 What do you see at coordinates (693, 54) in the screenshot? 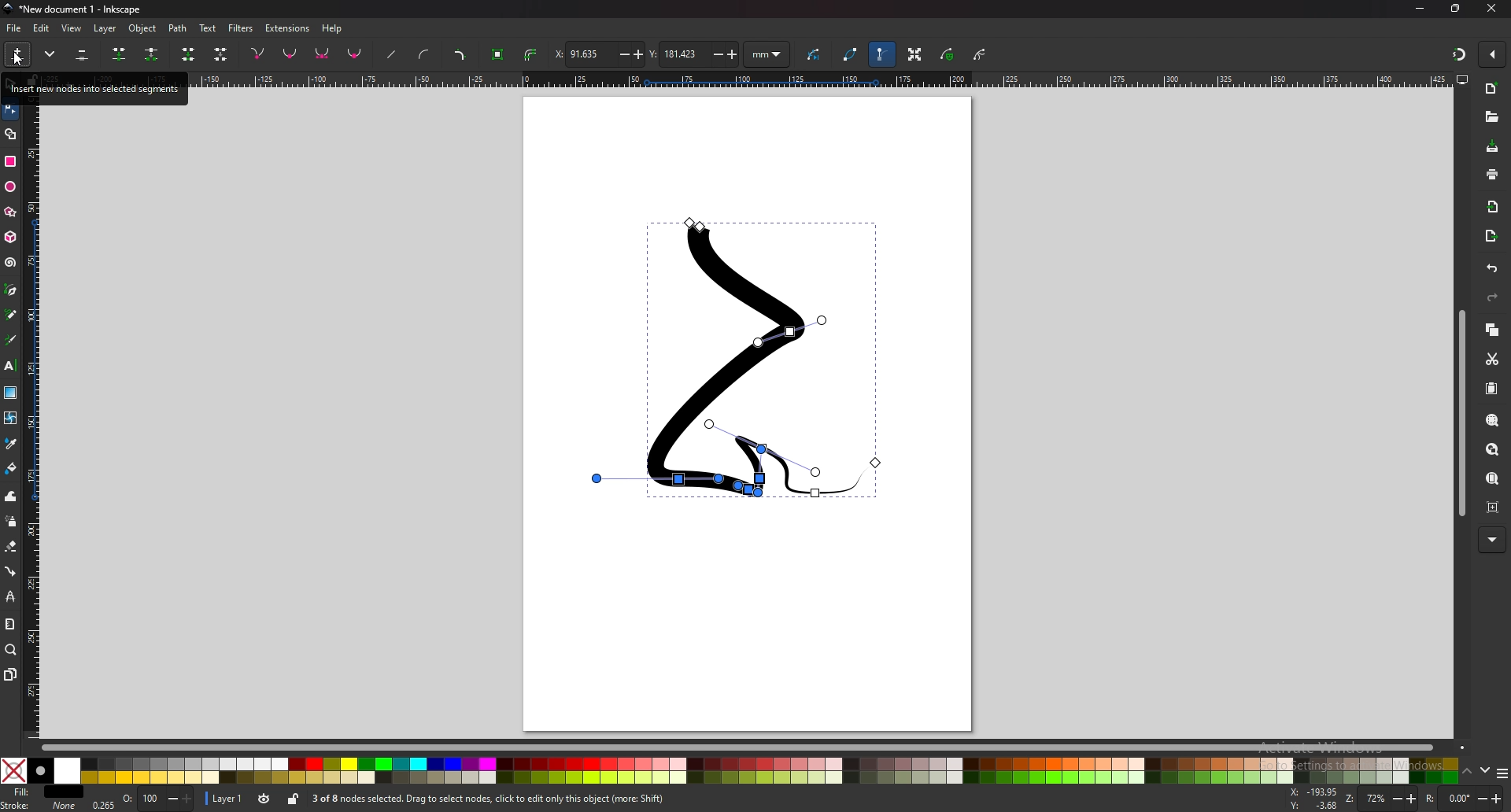
I see `y coordinates` at bounding box center [693, 54].